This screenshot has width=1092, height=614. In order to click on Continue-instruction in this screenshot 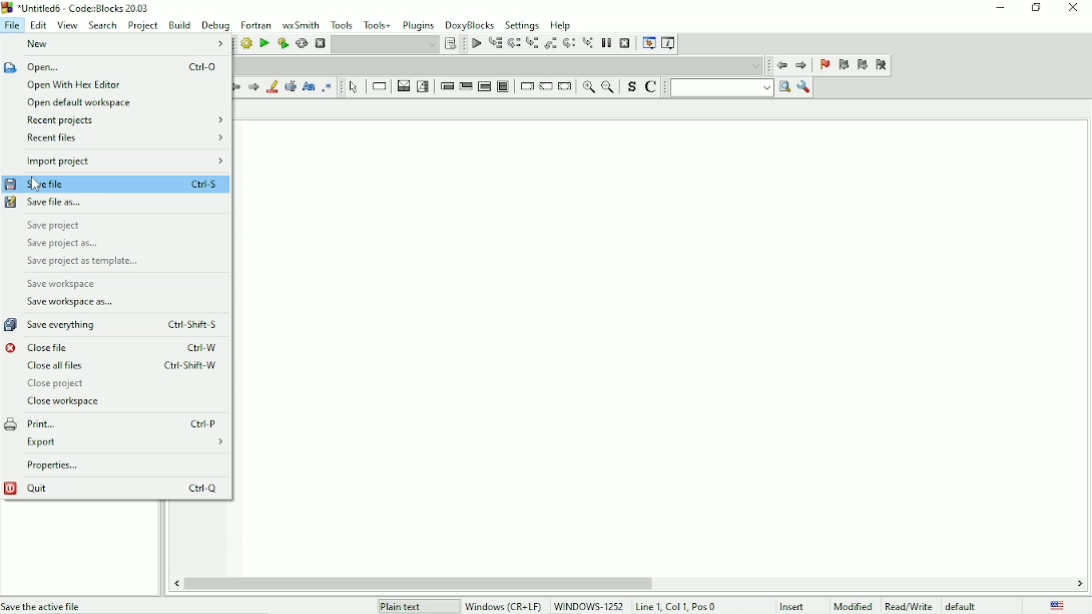, I will do `click(546, 87)`.